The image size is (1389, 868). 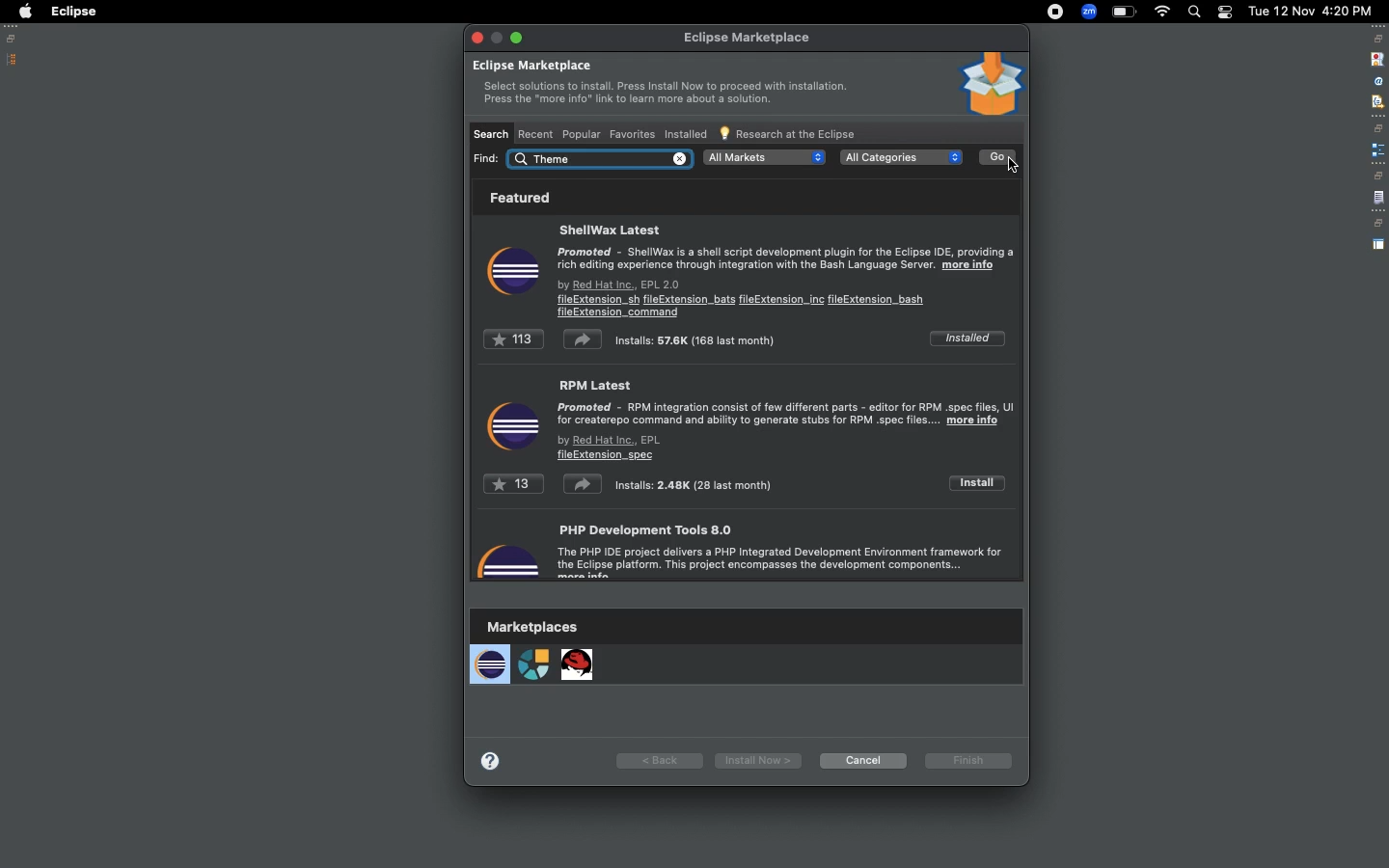 What do you see at coordinates (1375, 58) in the screenshot?
I see `stop` at bounding box center [1375, 58].